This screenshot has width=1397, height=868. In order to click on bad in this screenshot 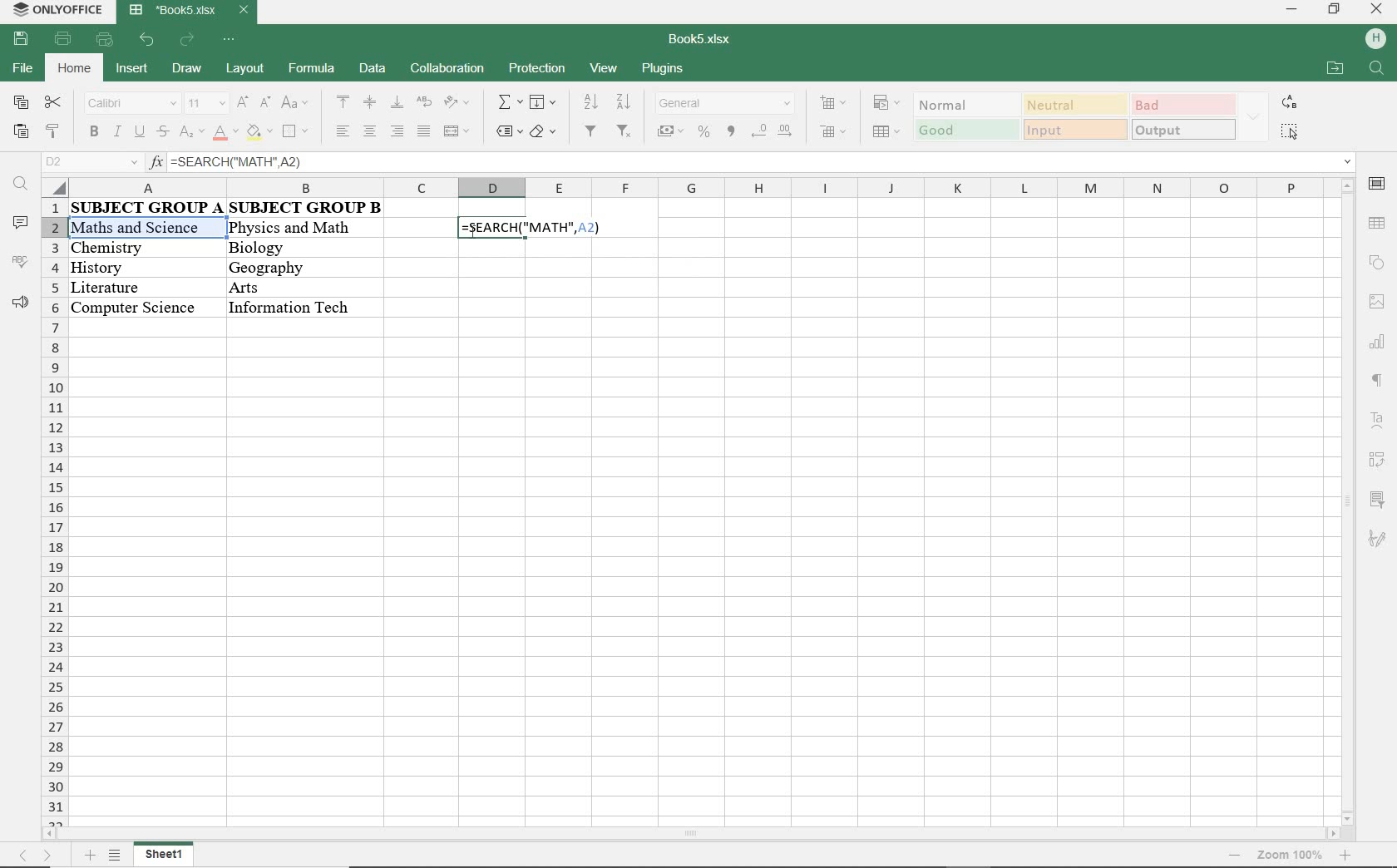, I will do `click(1183, 104)`.